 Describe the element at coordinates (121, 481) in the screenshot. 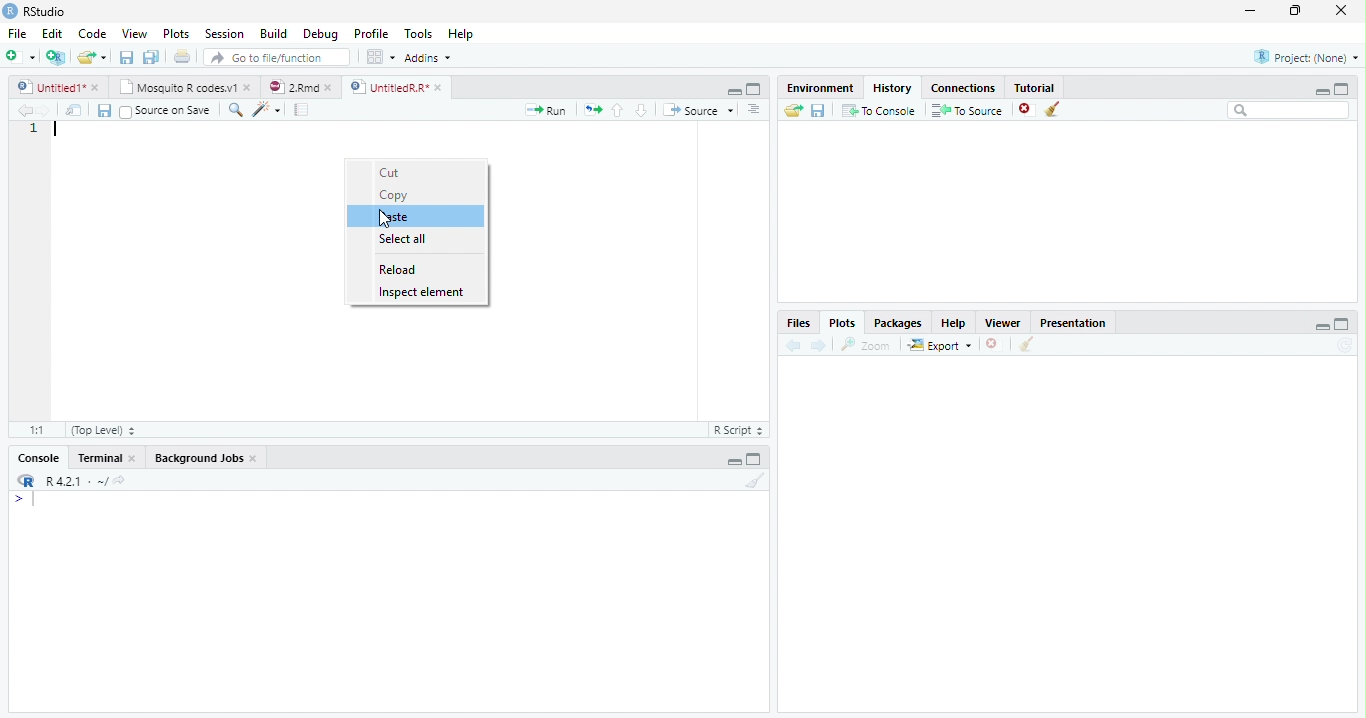

I see `View current directory` at that location.